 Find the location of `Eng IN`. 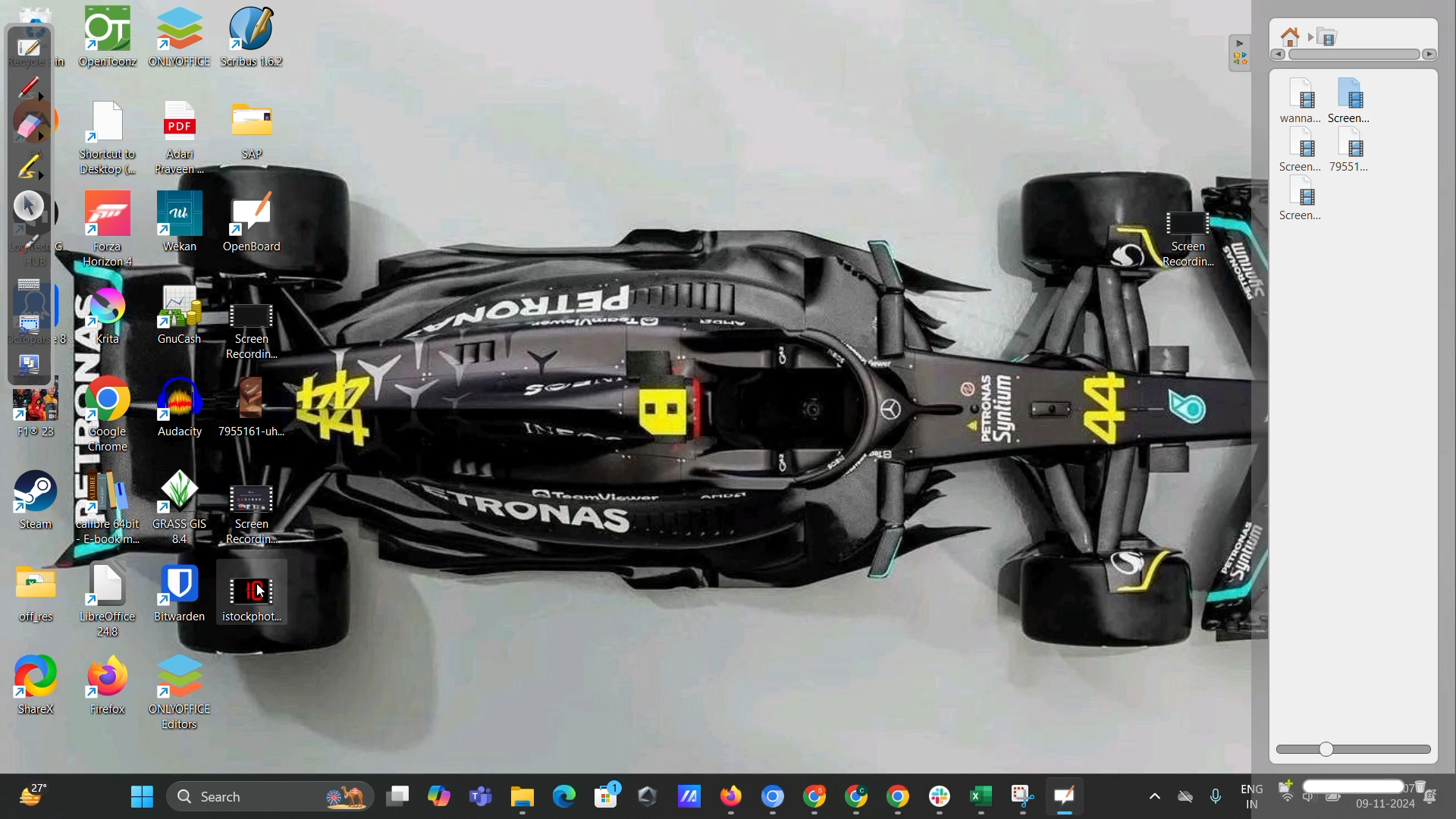

Eng IN is located at coordinates (1247, 797).